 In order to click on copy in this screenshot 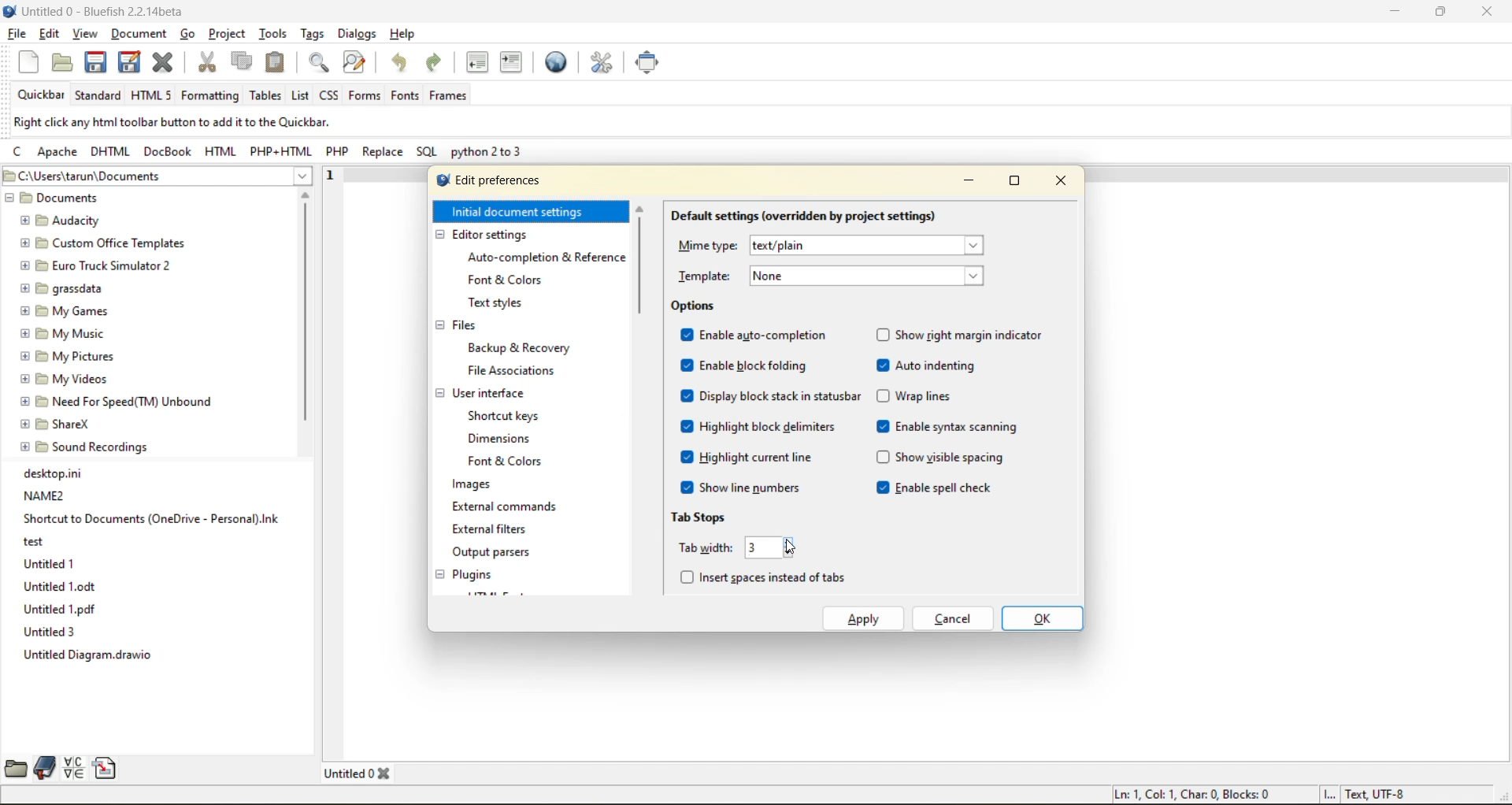, I will do `click(242, 61)`.